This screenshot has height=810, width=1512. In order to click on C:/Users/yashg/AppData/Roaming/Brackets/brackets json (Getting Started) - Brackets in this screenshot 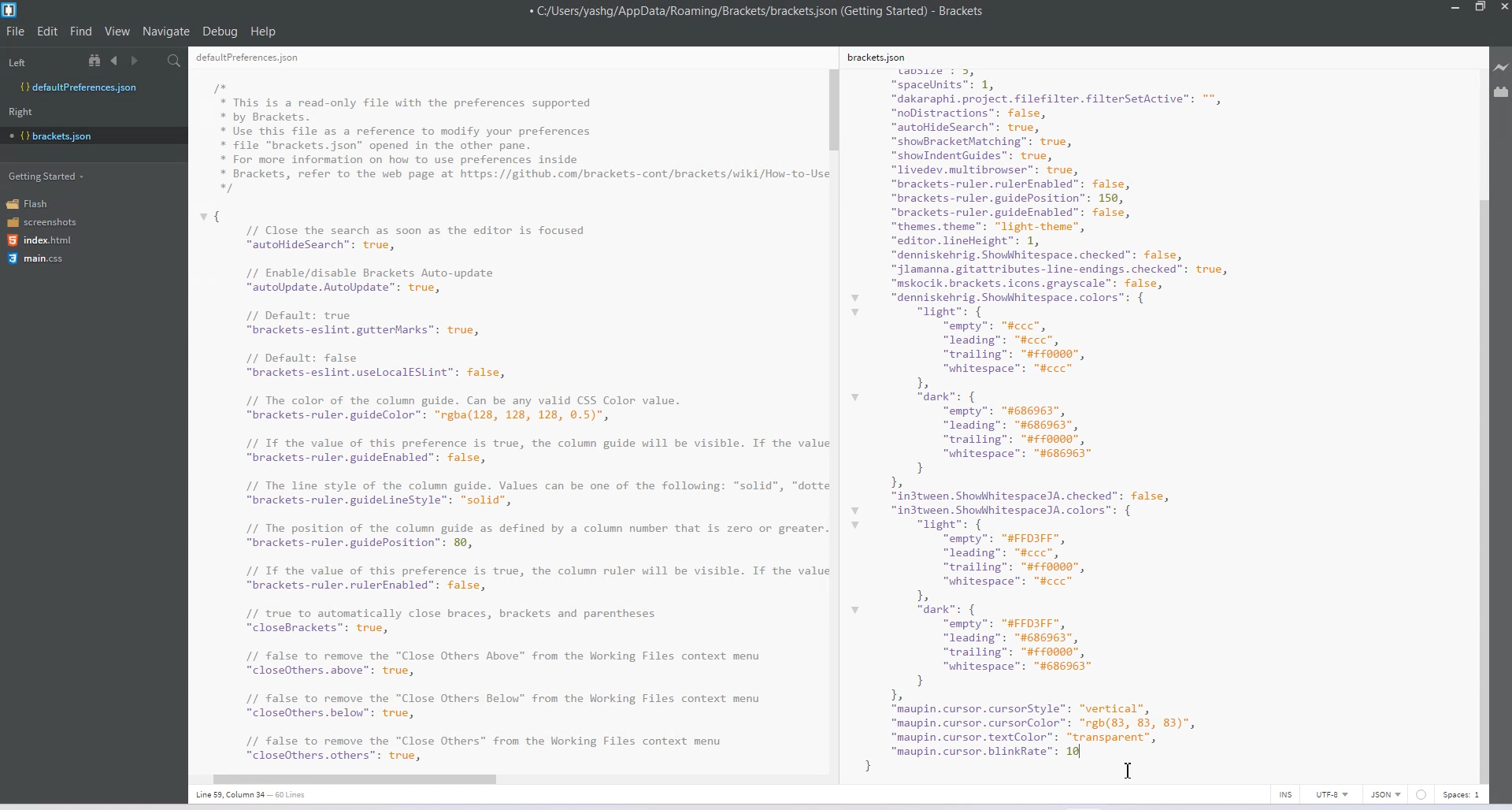, I will do `click(758, 11)`.